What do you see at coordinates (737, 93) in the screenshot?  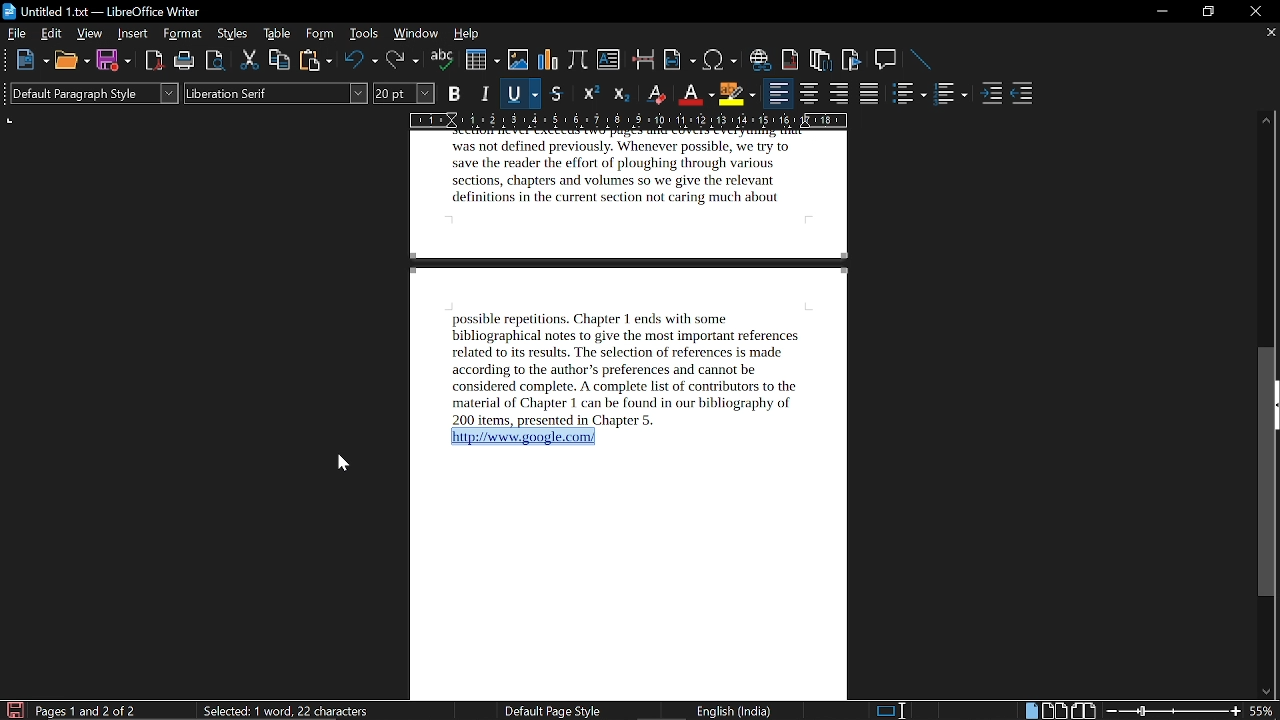 I see `highlight` at bounding box center [737, 93].